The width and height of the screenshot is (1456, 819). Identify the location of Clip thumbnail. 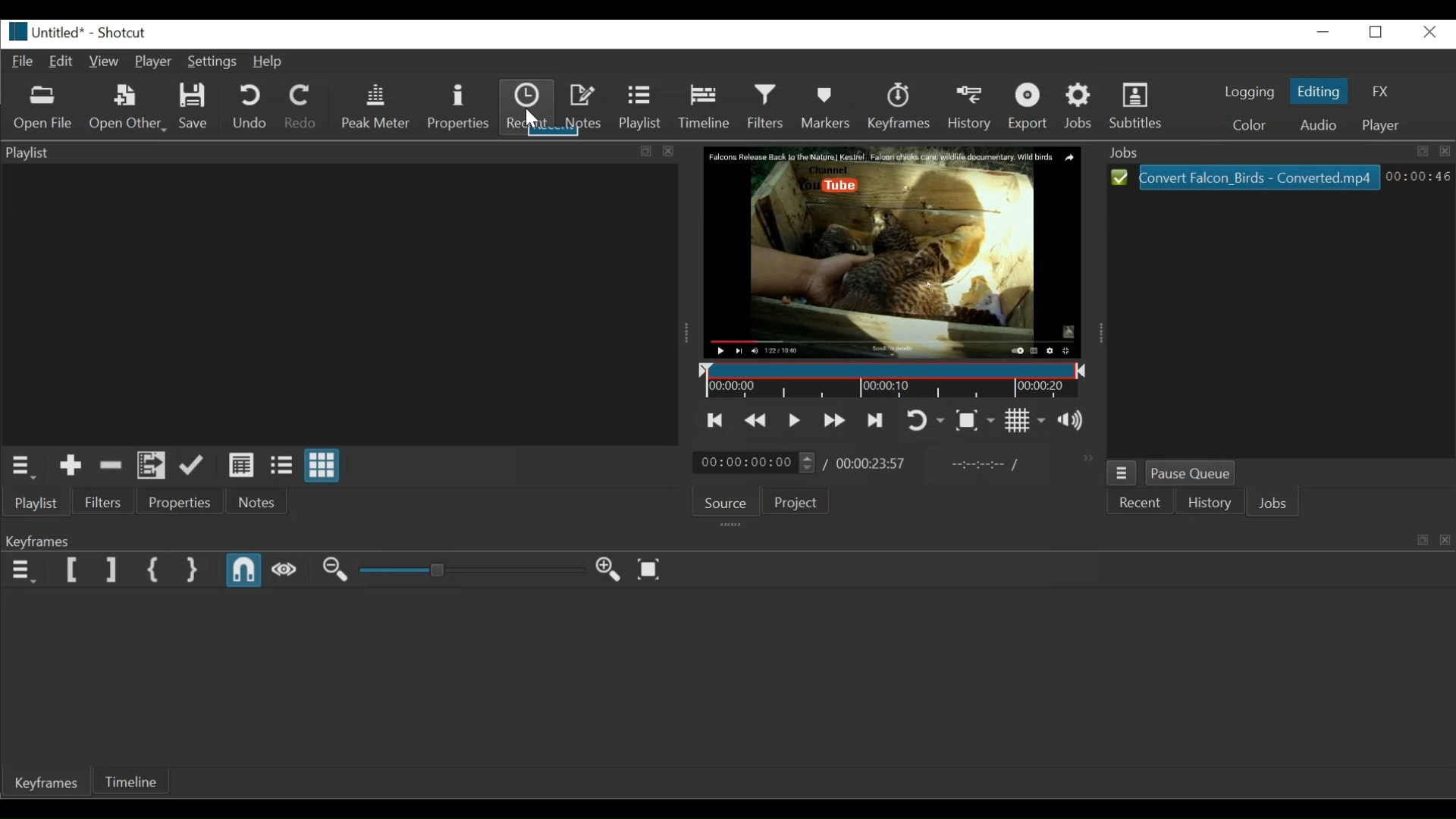
(337, 306).